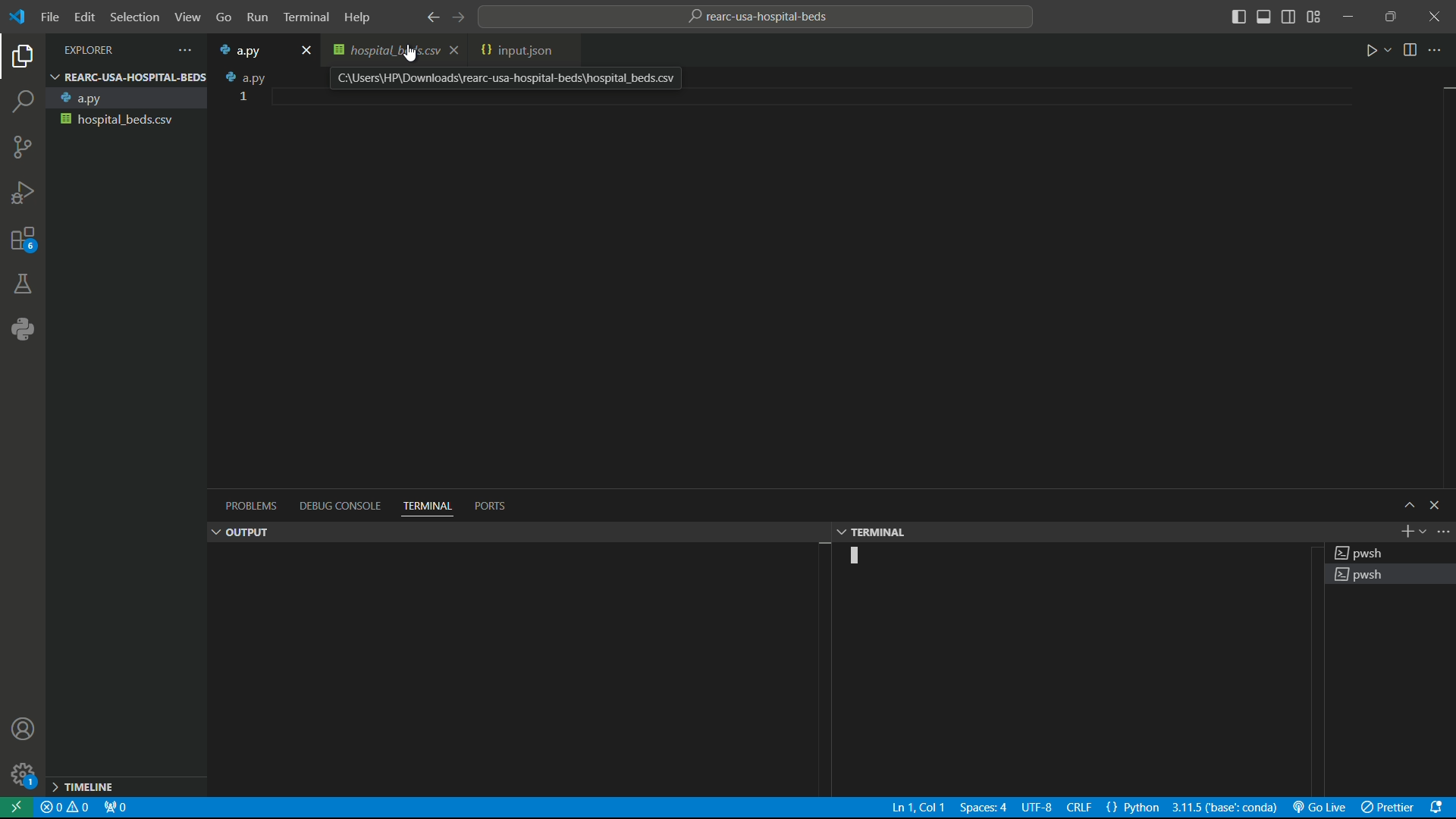 The height and width of the screenshot is (819, 1456). What do you see at coordinates (21, 58) in the screenshot?
I see `explorer` at bounding box center [21, 58].